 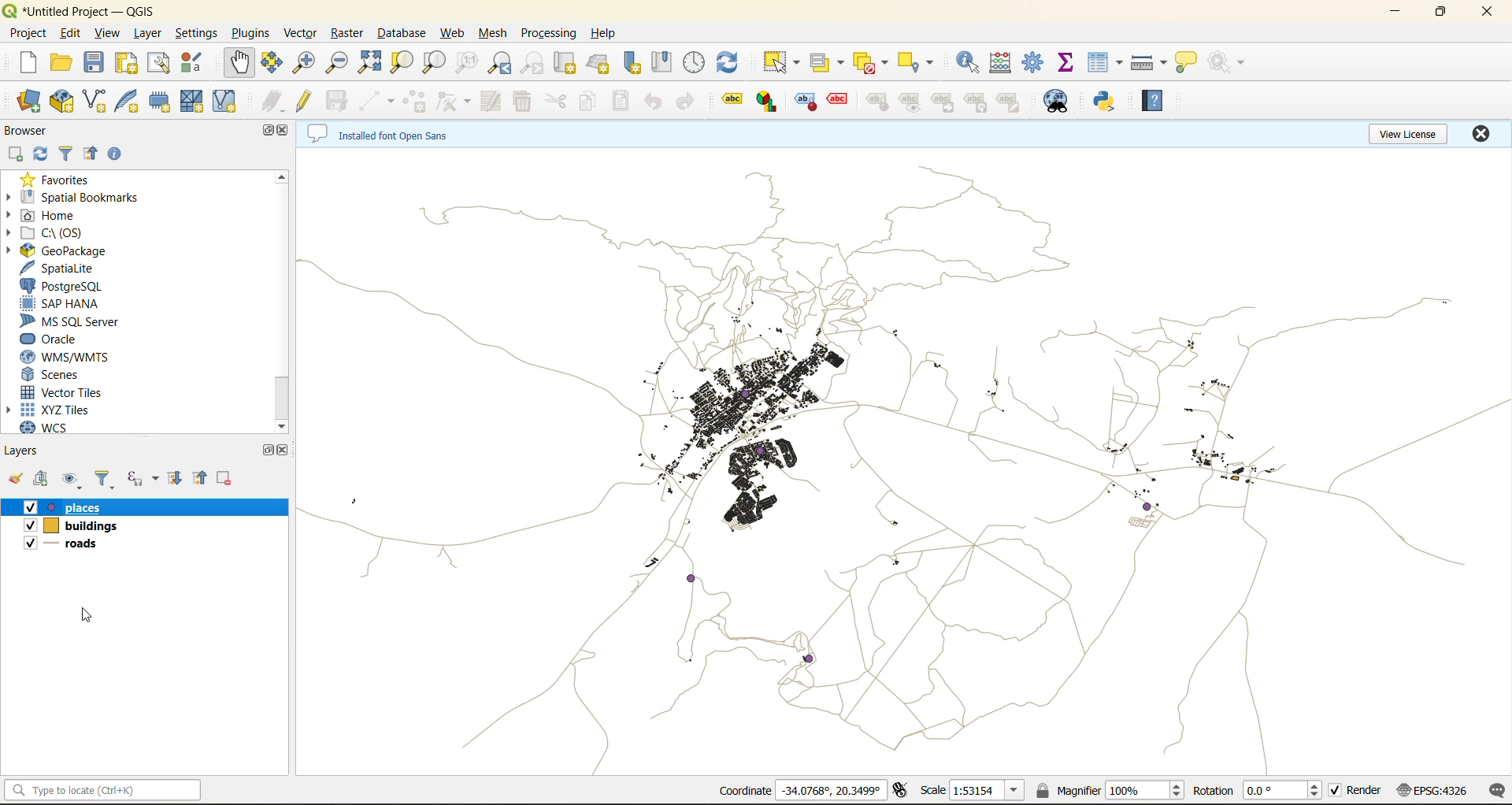 What do you see at coordinates (689, 104) in the screenshot?
I see `redo` at bounding box center [689, 104].